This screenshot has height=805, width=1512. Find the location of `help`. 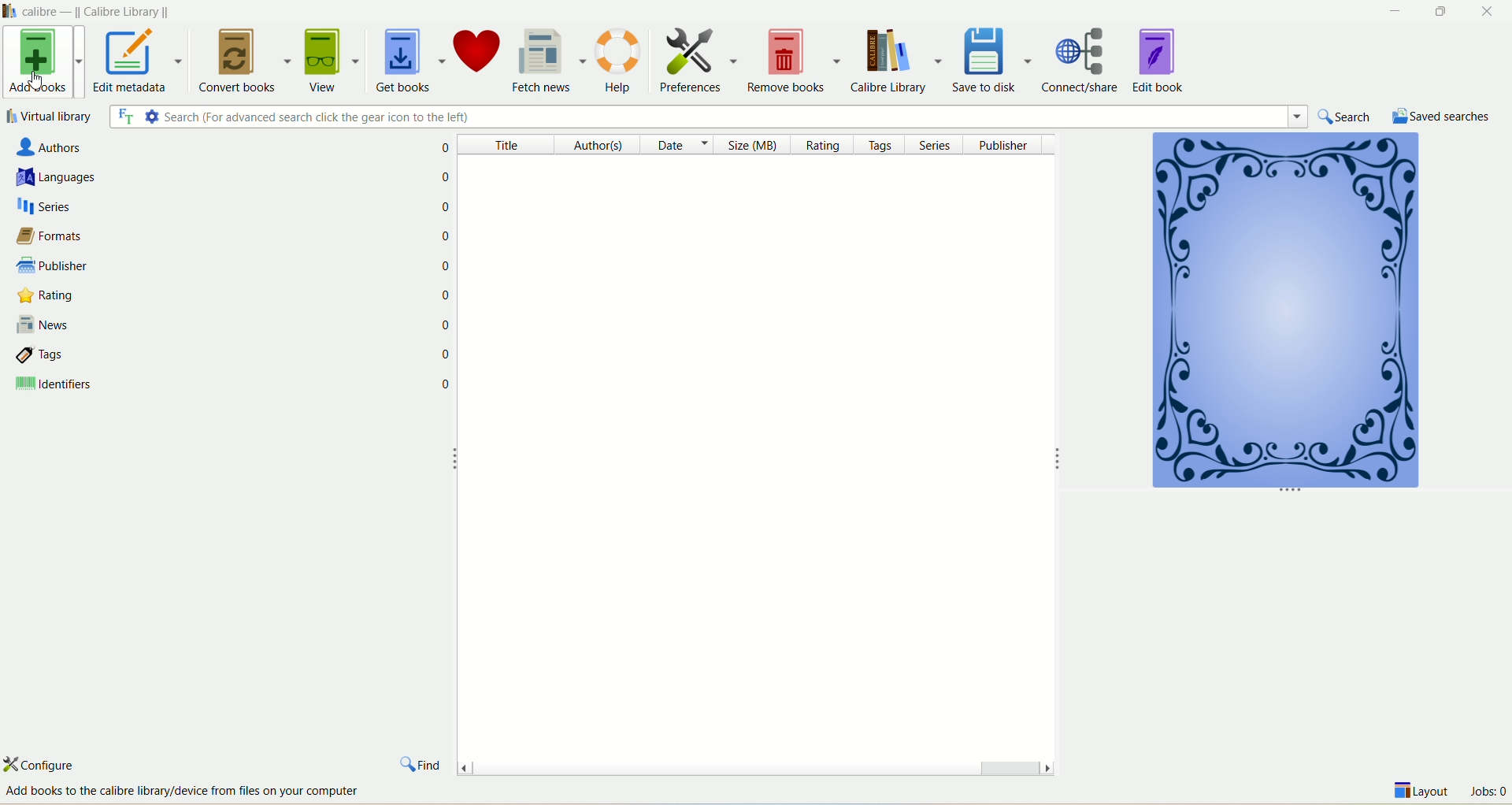

help is located at coordinates (621, 61).